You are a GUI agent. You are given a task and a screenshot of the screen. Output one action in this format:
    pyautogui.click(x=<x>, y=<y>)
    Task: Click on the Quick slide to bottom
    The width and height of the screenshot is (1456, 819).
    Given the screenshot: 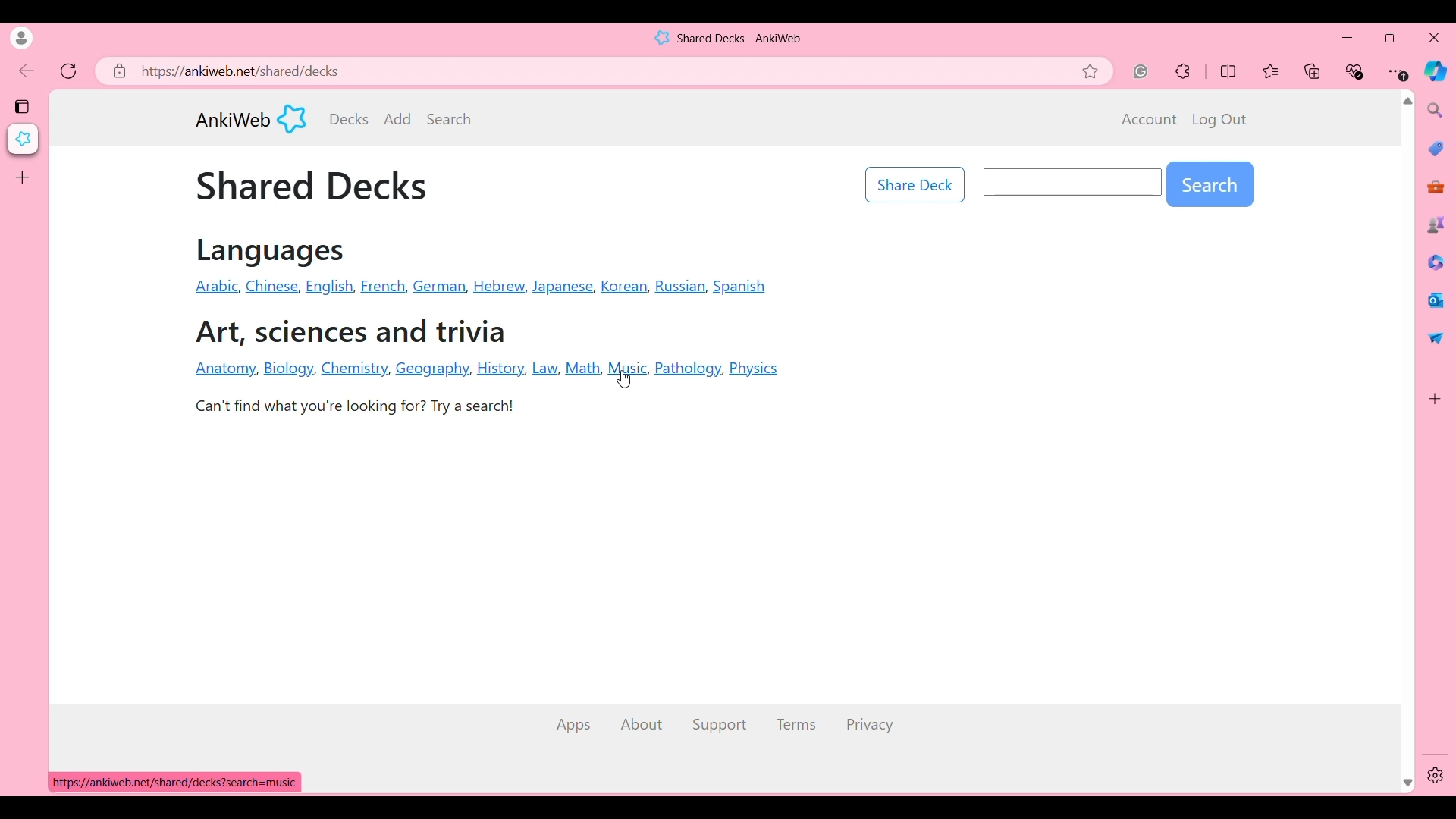 What is the action you would take?
    pyautogui.click(x=1410, y=783)
    